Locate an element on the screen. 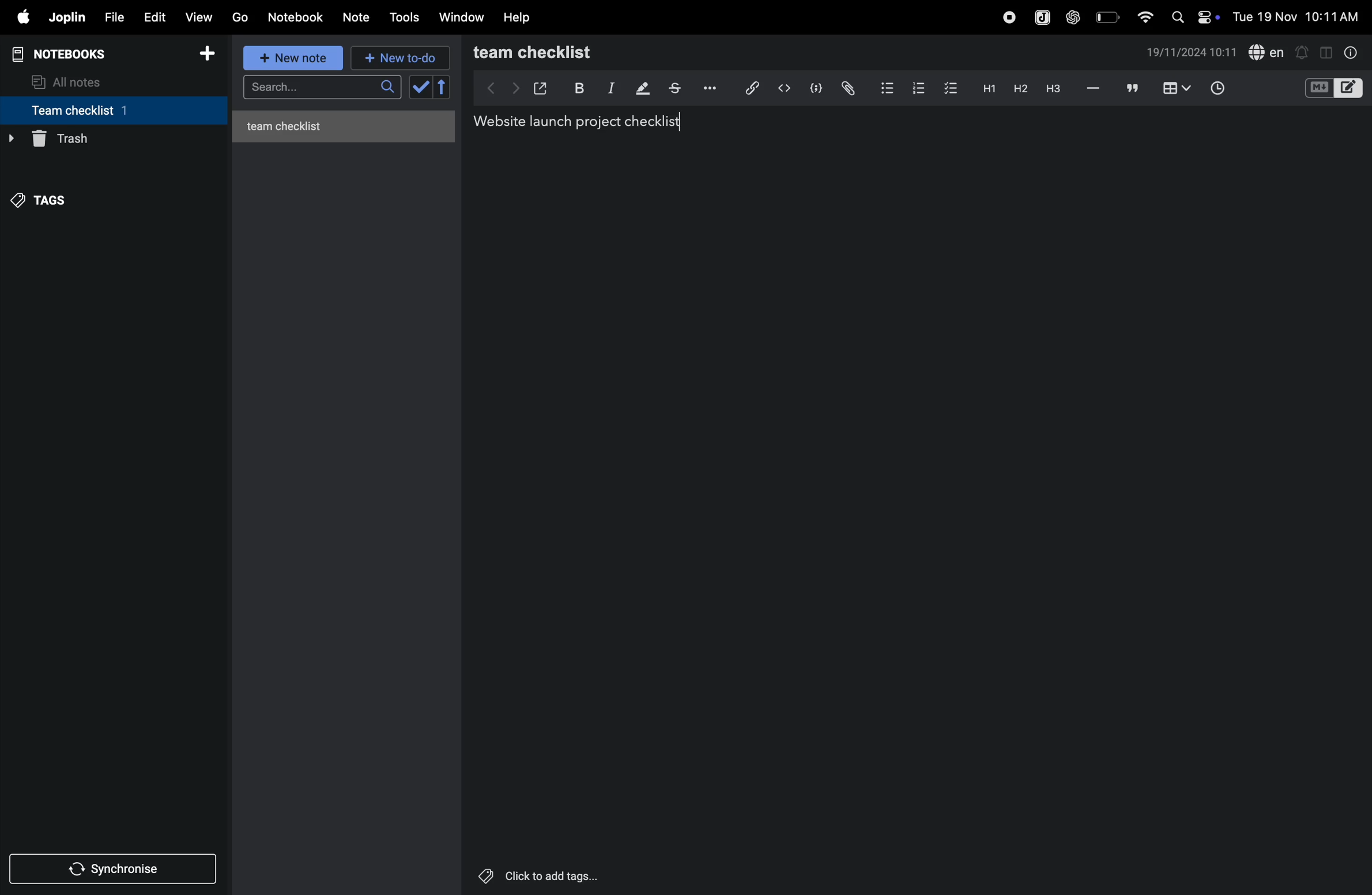 This screenshot has height=895, width=1372. open window is located at coordinates (541, 86).